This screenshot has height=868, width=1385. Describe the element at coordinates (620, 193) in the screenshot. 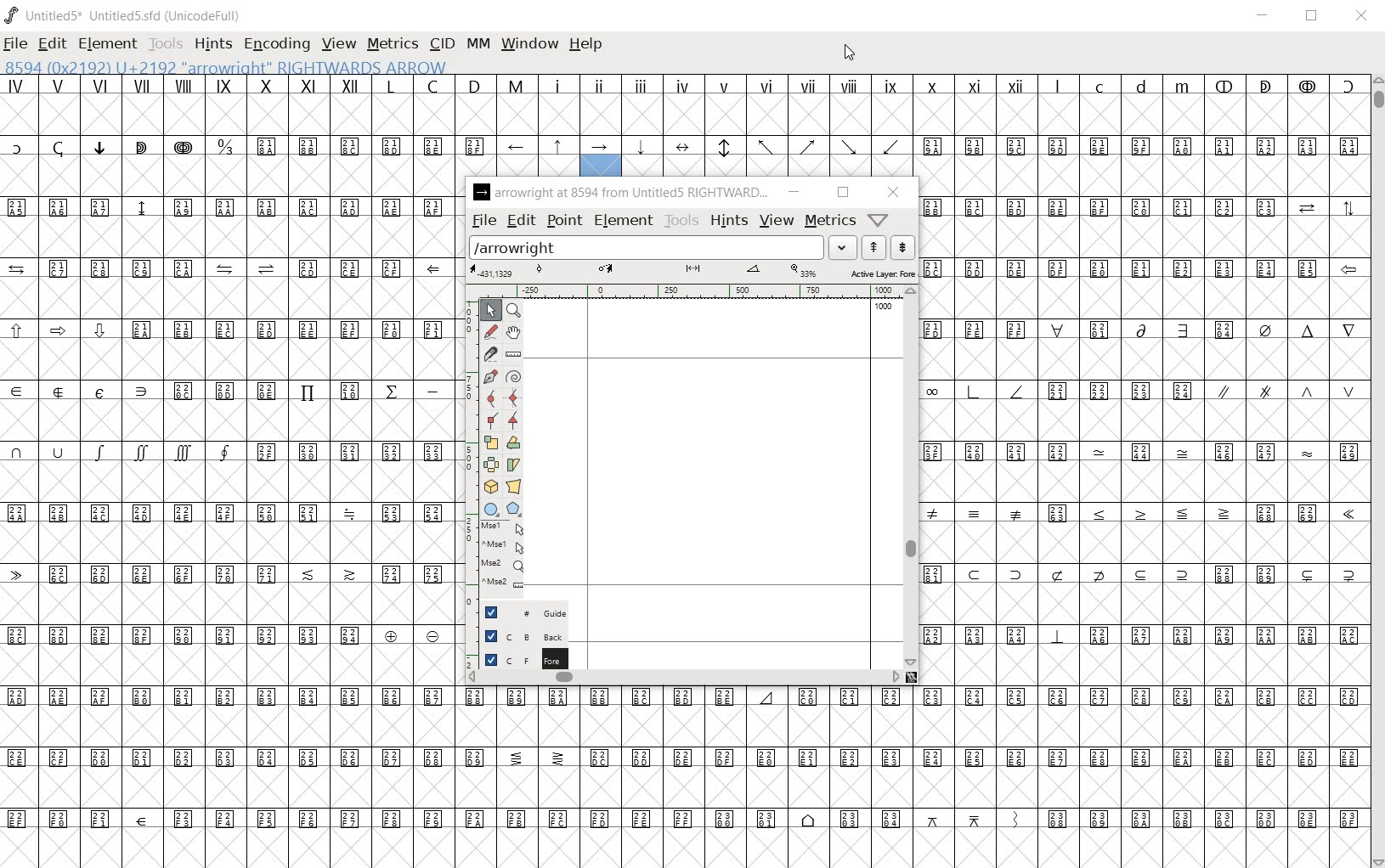

I see `arrowright at 8594 from Untitled5.RIGHTWARD...` at that location.